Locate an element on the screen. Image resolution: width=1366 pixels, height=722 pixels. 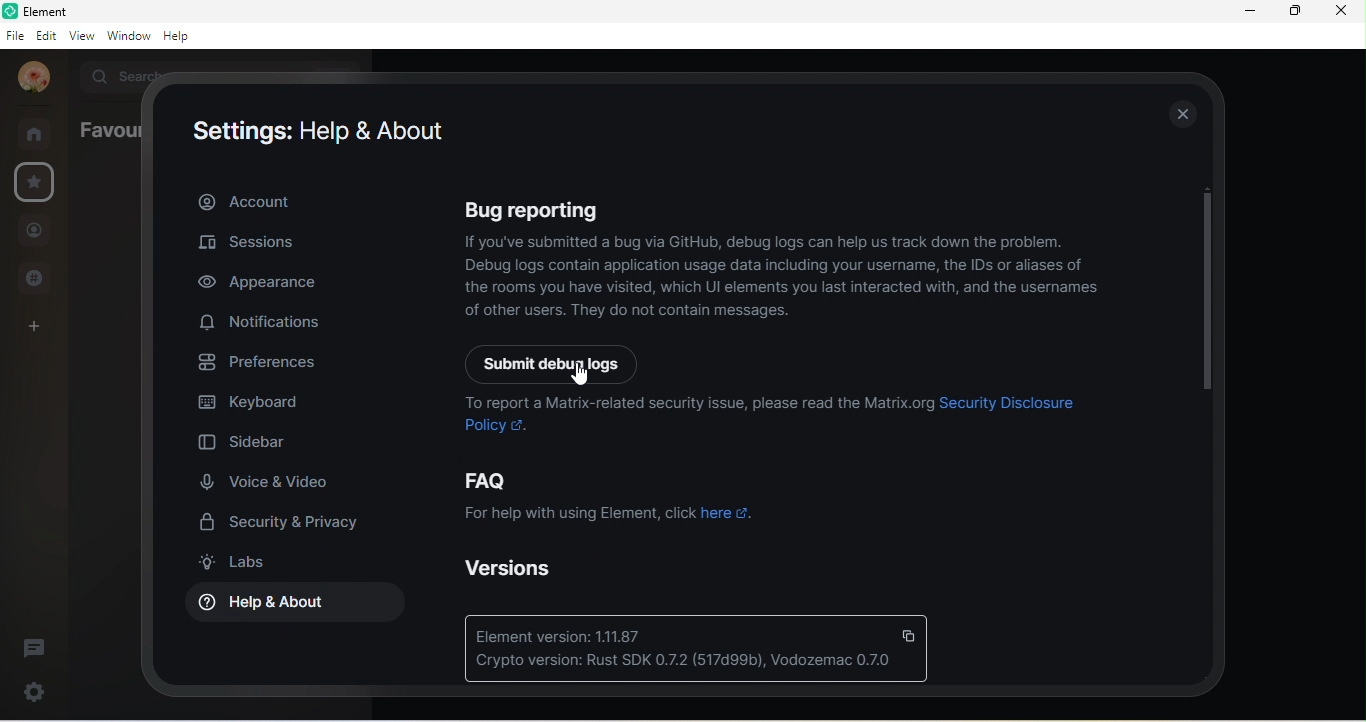
help is located at coordinates (178, 36).